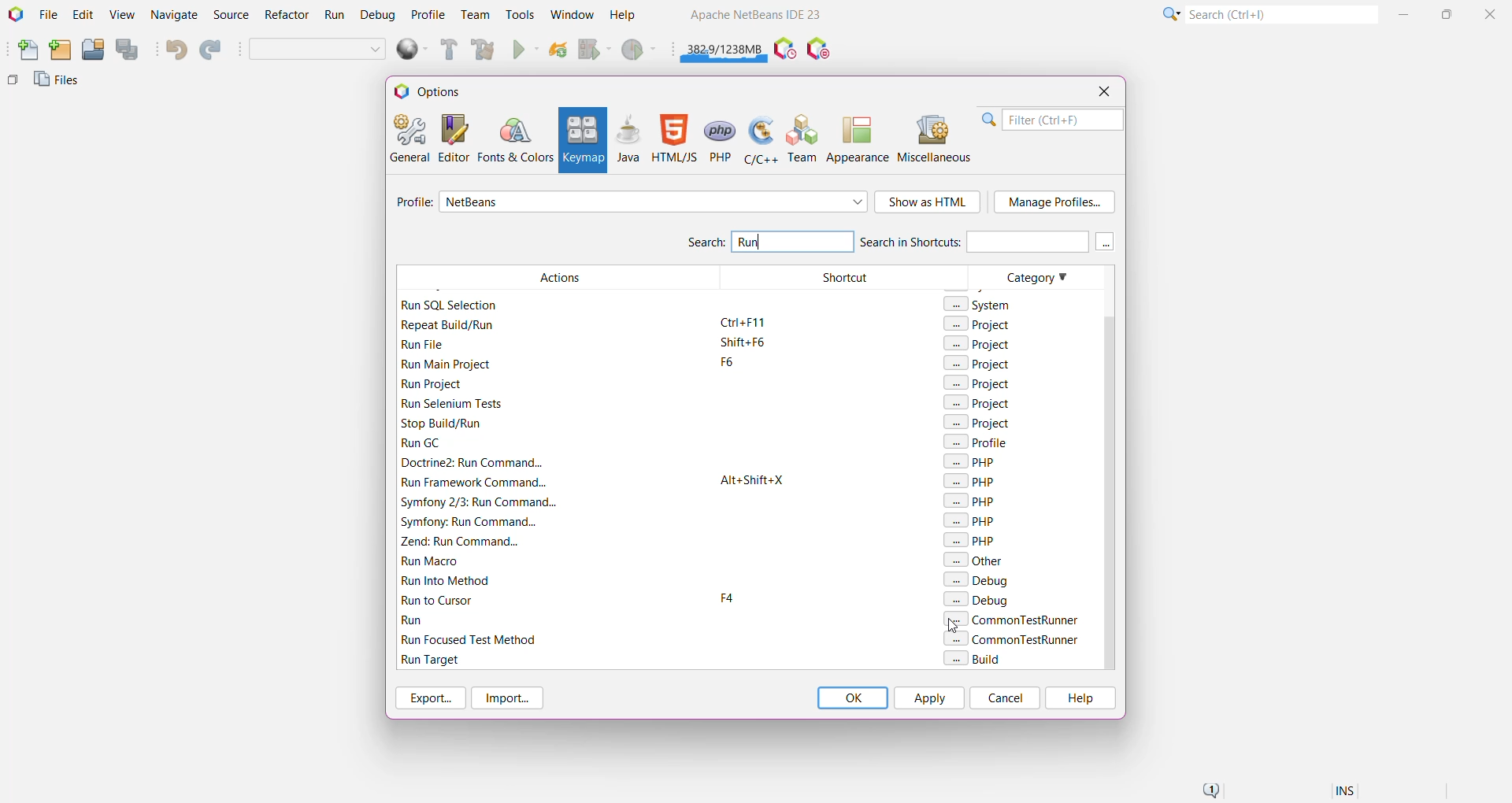  What do you see at coordinates (14, 15) in the screenshot?
I see `Application Logo` at bounding box center [14, 15].